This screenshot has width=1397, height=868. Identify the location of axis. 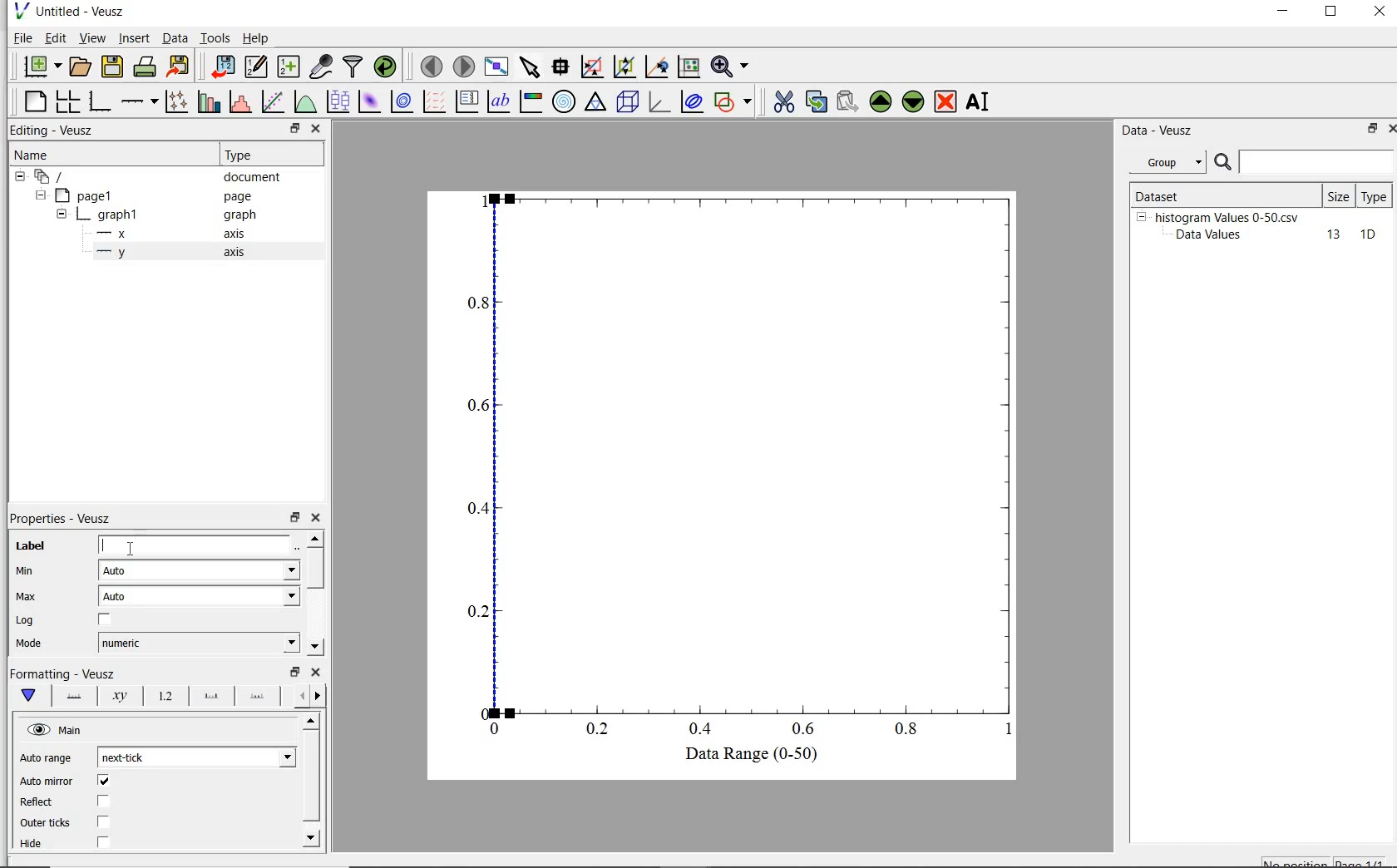
(241, 234).